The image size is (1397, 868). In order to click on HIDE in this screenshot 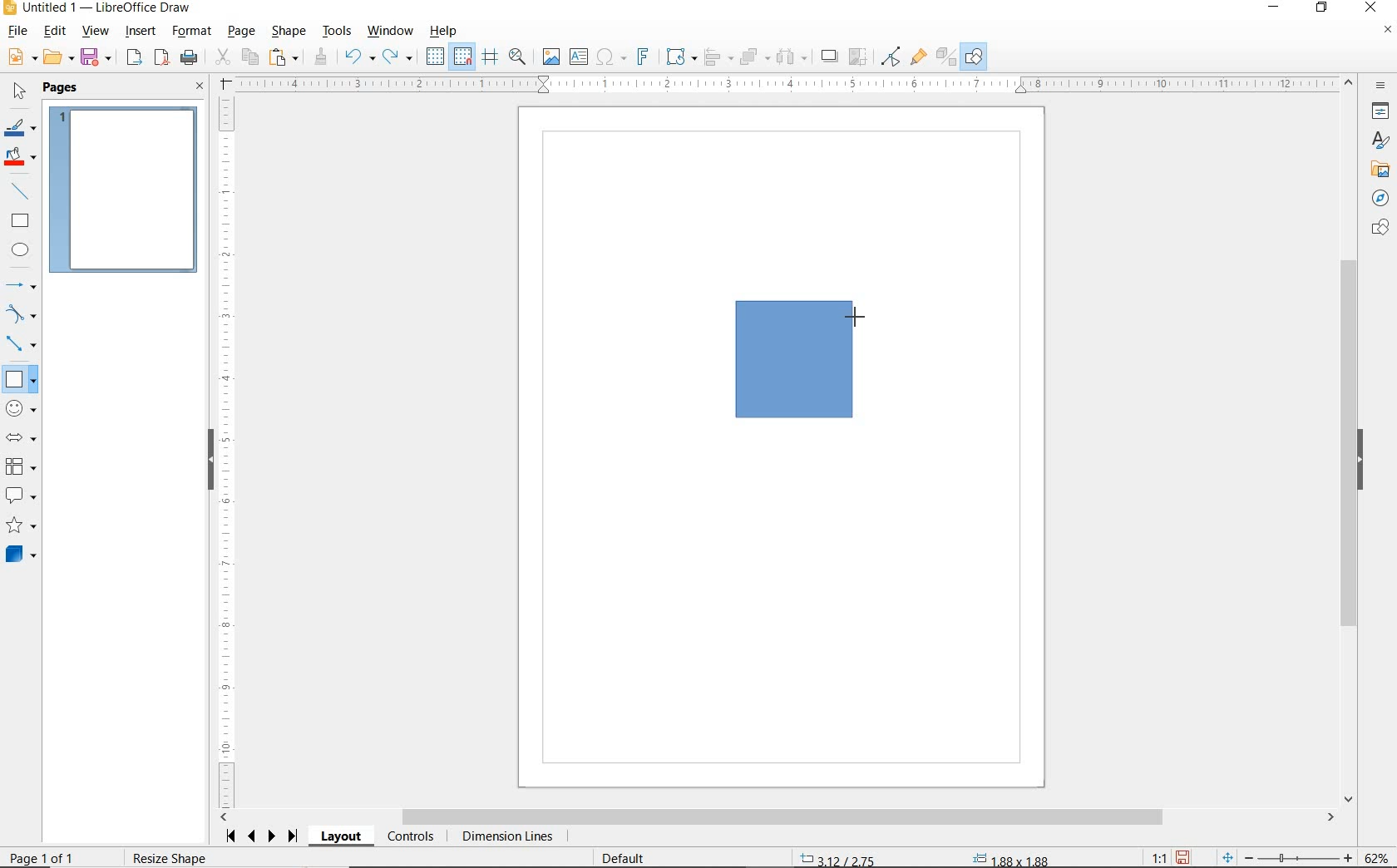, I will do `click(210, 461)`.